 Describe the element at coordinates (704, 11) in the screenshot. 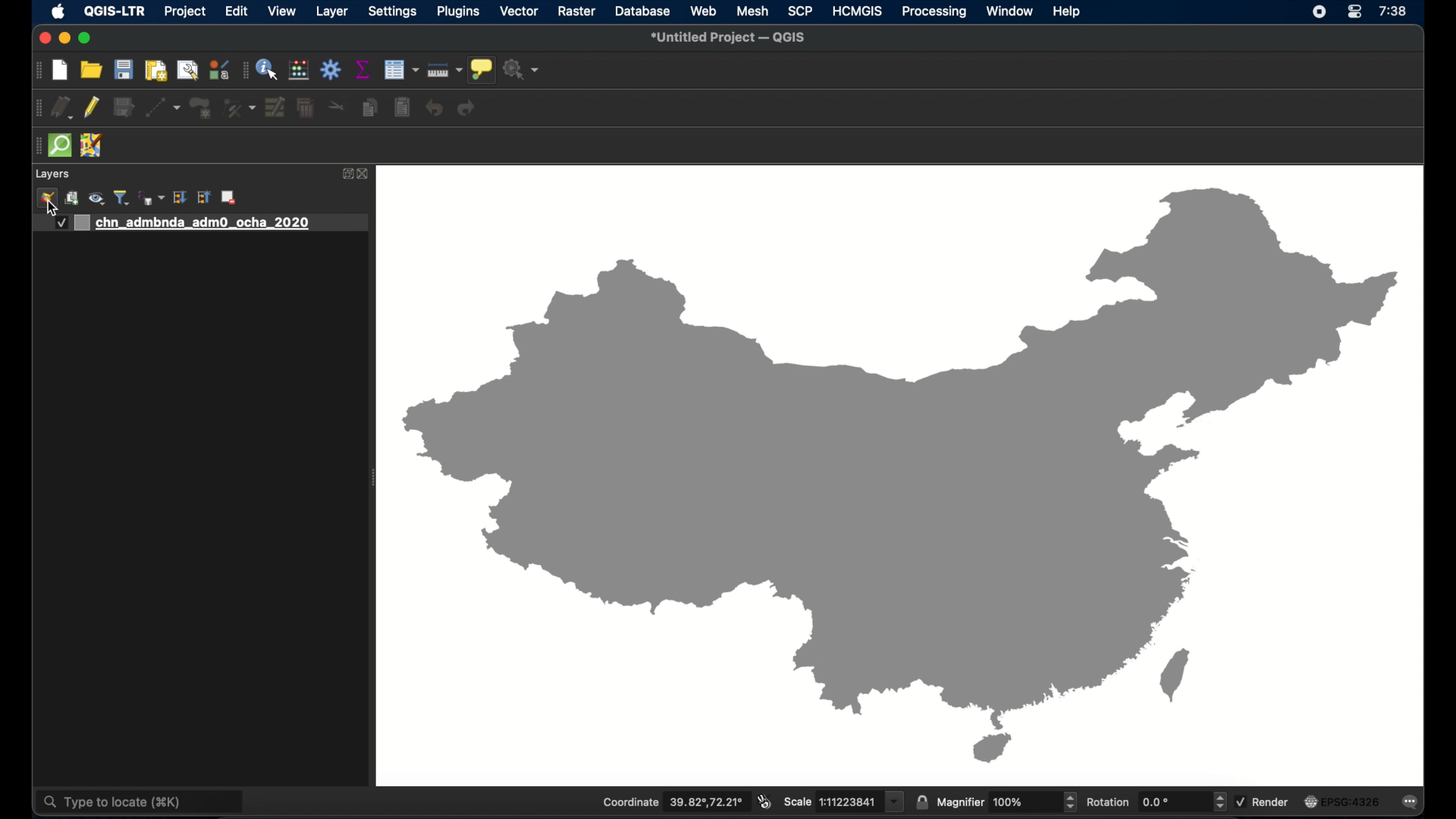

I see `web` at that location.